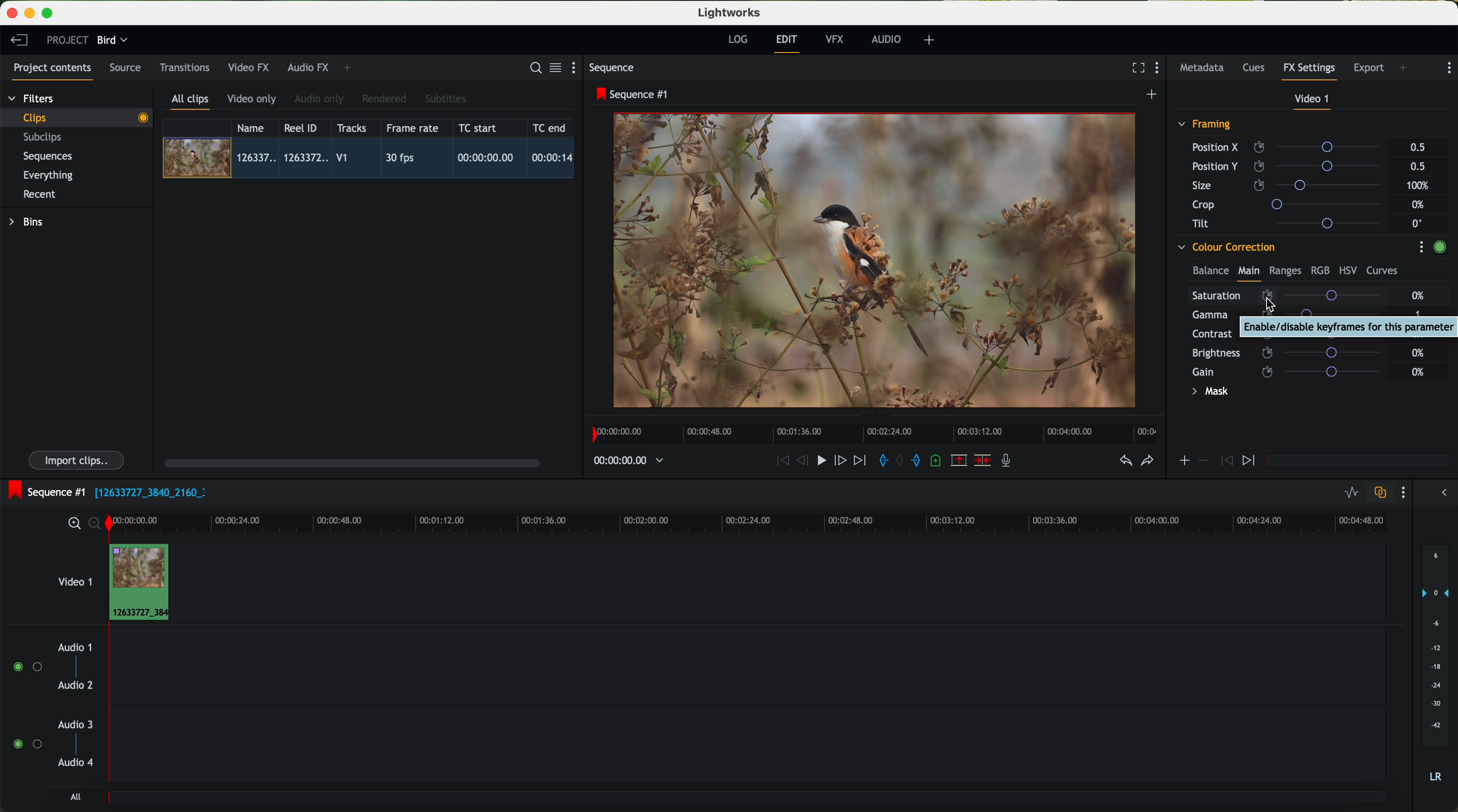  What do you see at coordinates (880, 462) in the screenshot?
I see `add 'in' mark` at bounding box center [880, 462].